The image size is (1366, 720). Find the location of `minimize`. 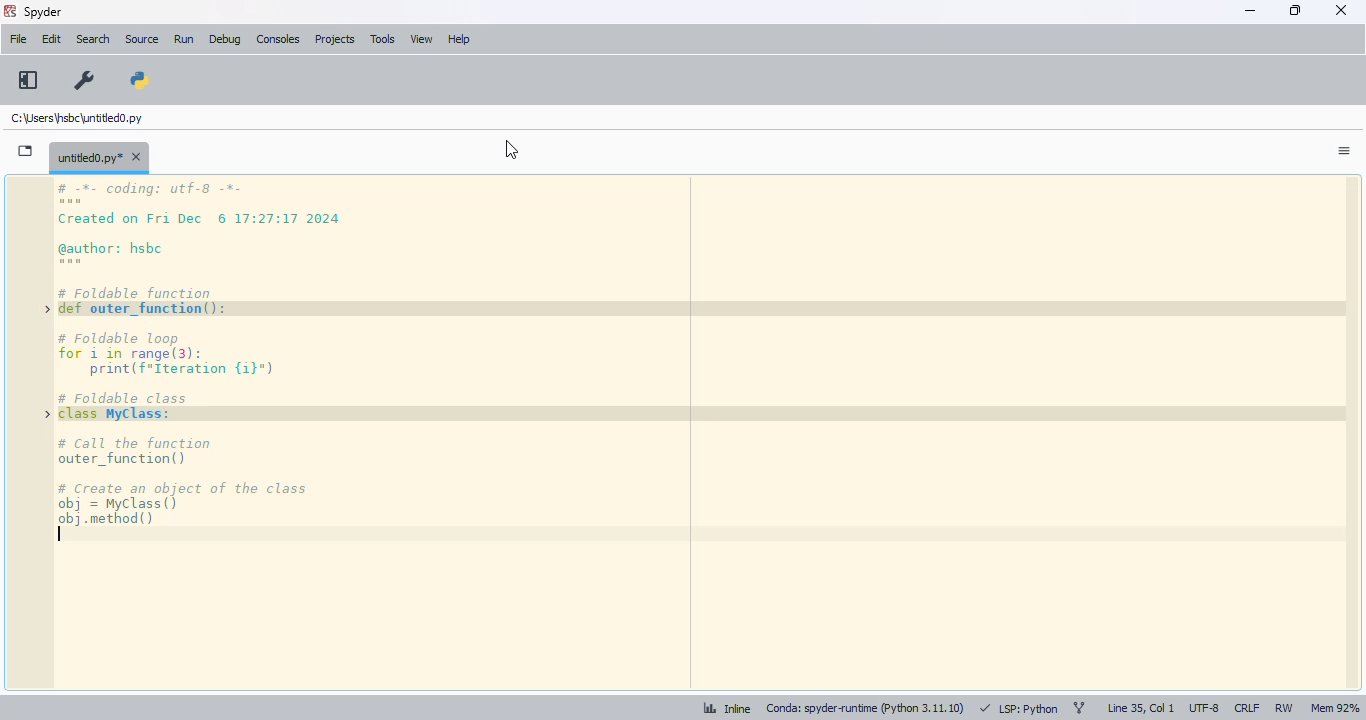

minimize is located at coordinates (1250, 11).